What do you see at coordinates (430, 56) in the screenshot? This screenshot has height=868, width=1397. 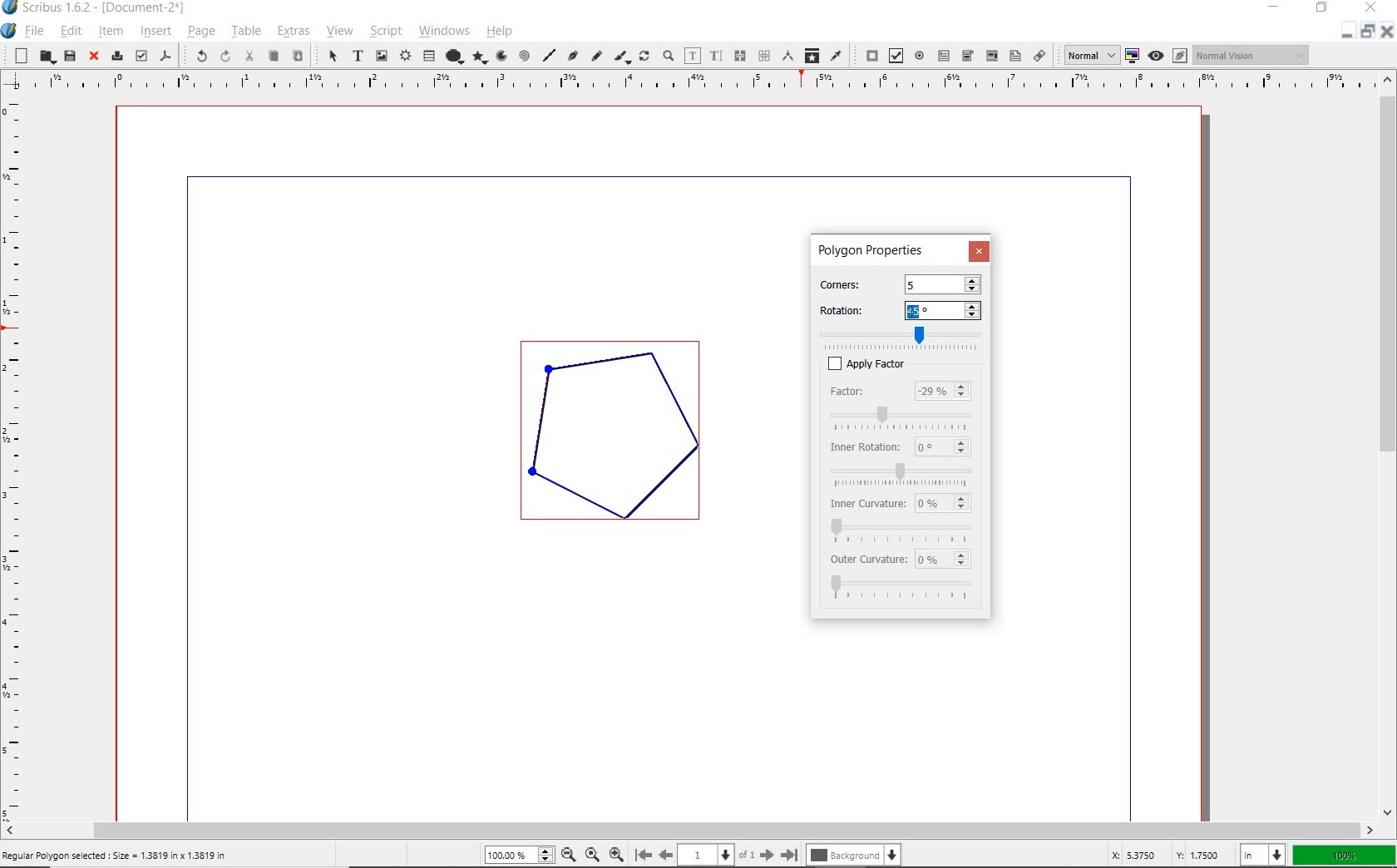 I see `table` at bounding box center [430, 56].